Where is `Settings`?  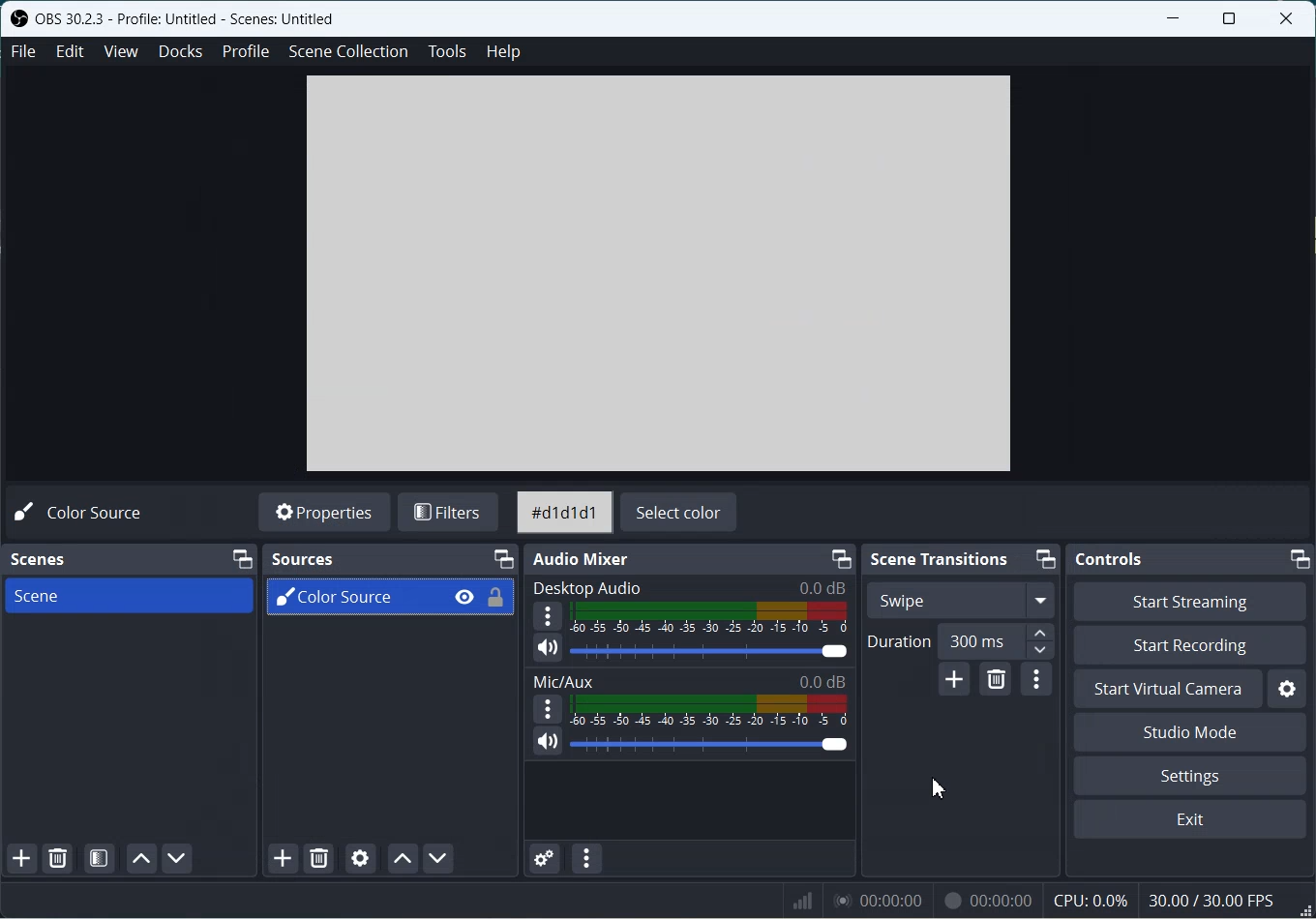 Settings is located at coordinates (1287, 689).